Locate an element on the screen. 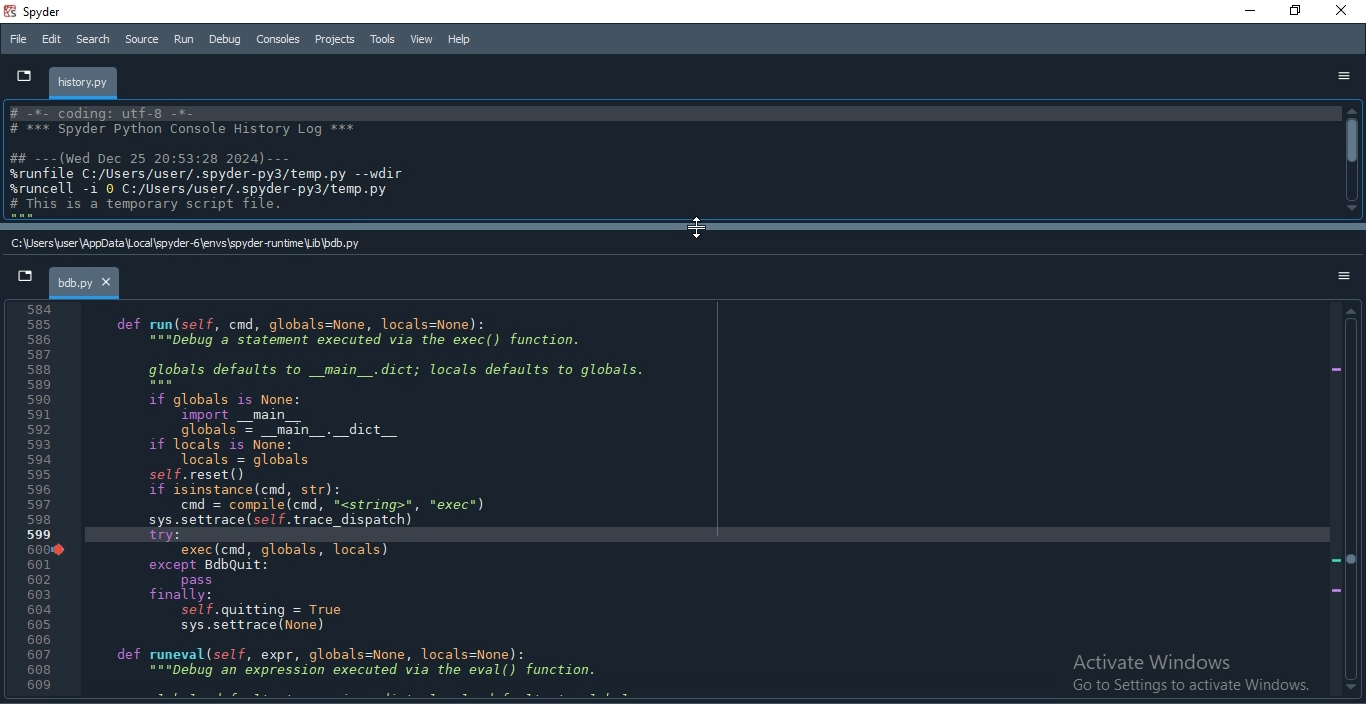 The height and width of the screenshot is (704, 1366). options is located at coordinates (1338, 277).